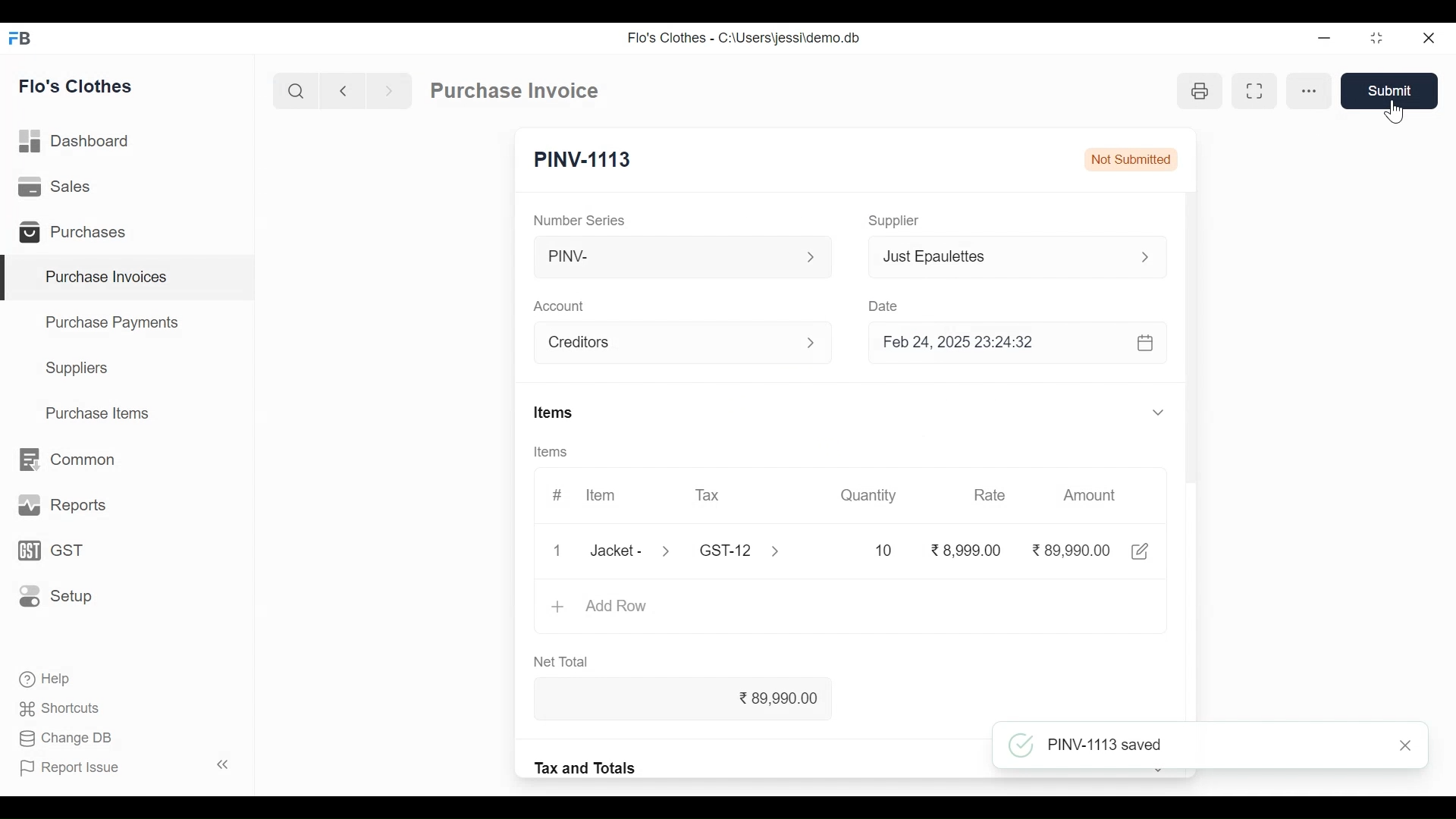  I want to click on Account, so click(560, 306).